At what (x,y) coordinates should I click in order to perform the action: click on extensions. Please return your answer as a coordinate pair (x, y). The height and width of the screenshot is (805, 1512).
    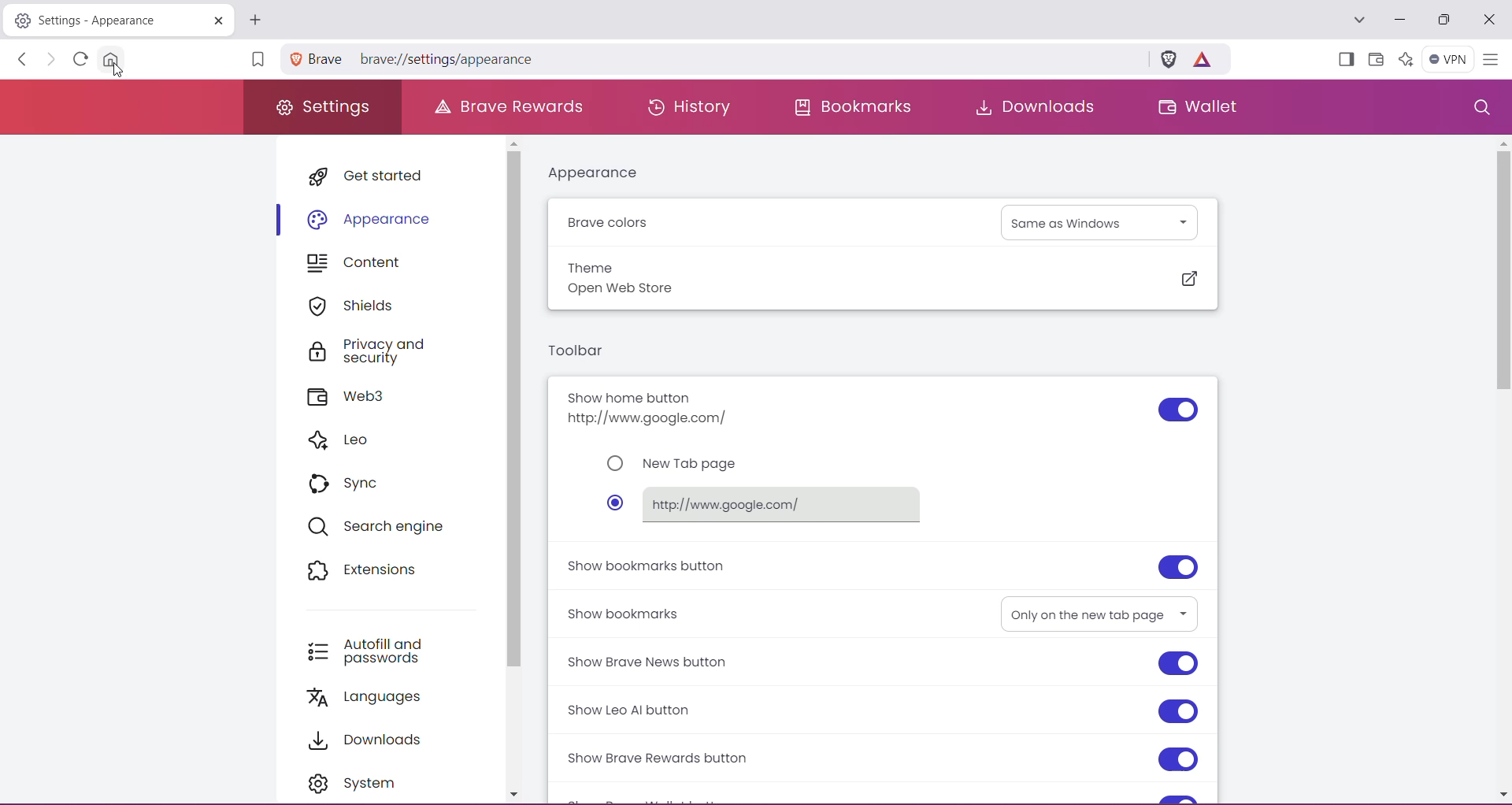
    Looking at the image, I should click on (367, 569).